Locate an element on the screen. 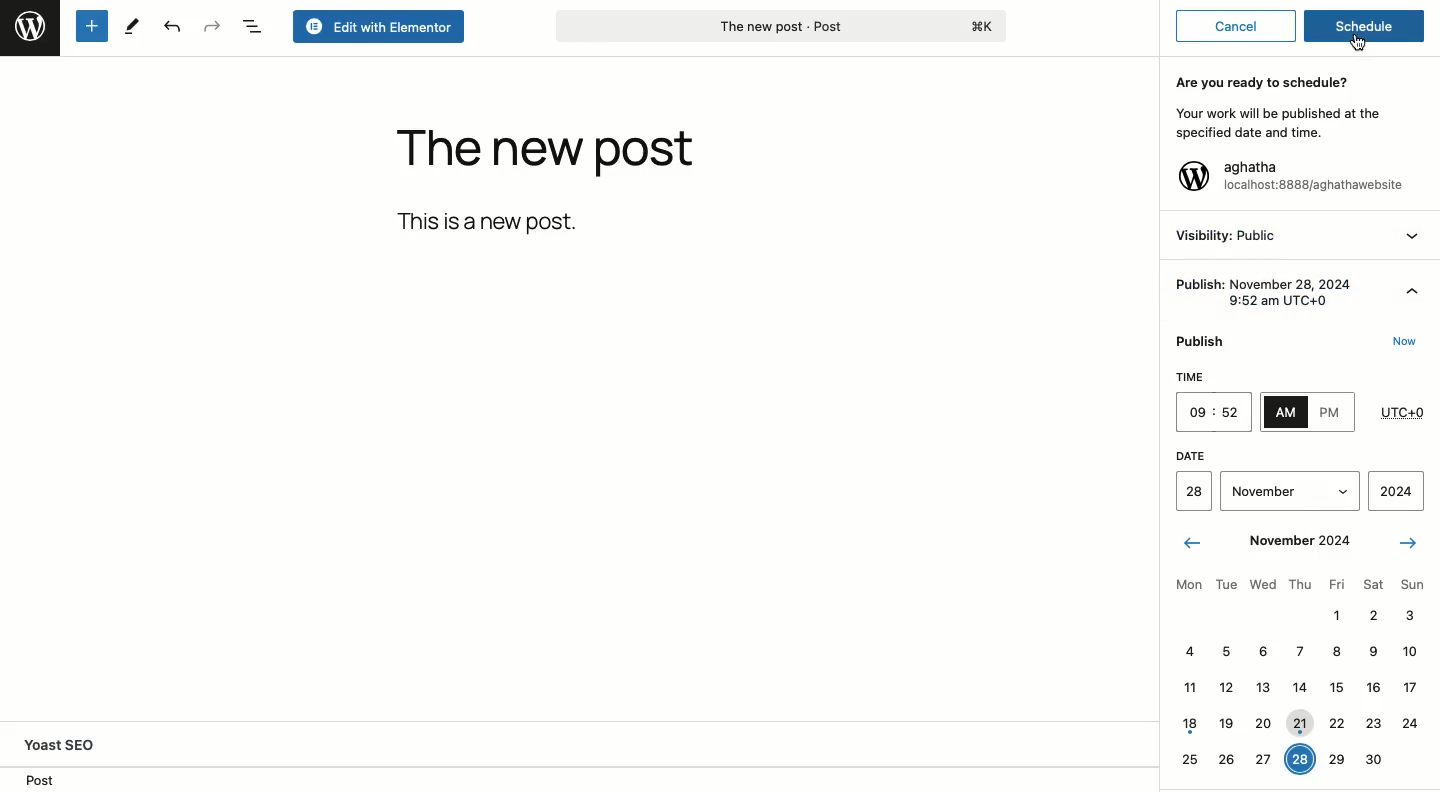  20 is located at coordinates (1265, 724).